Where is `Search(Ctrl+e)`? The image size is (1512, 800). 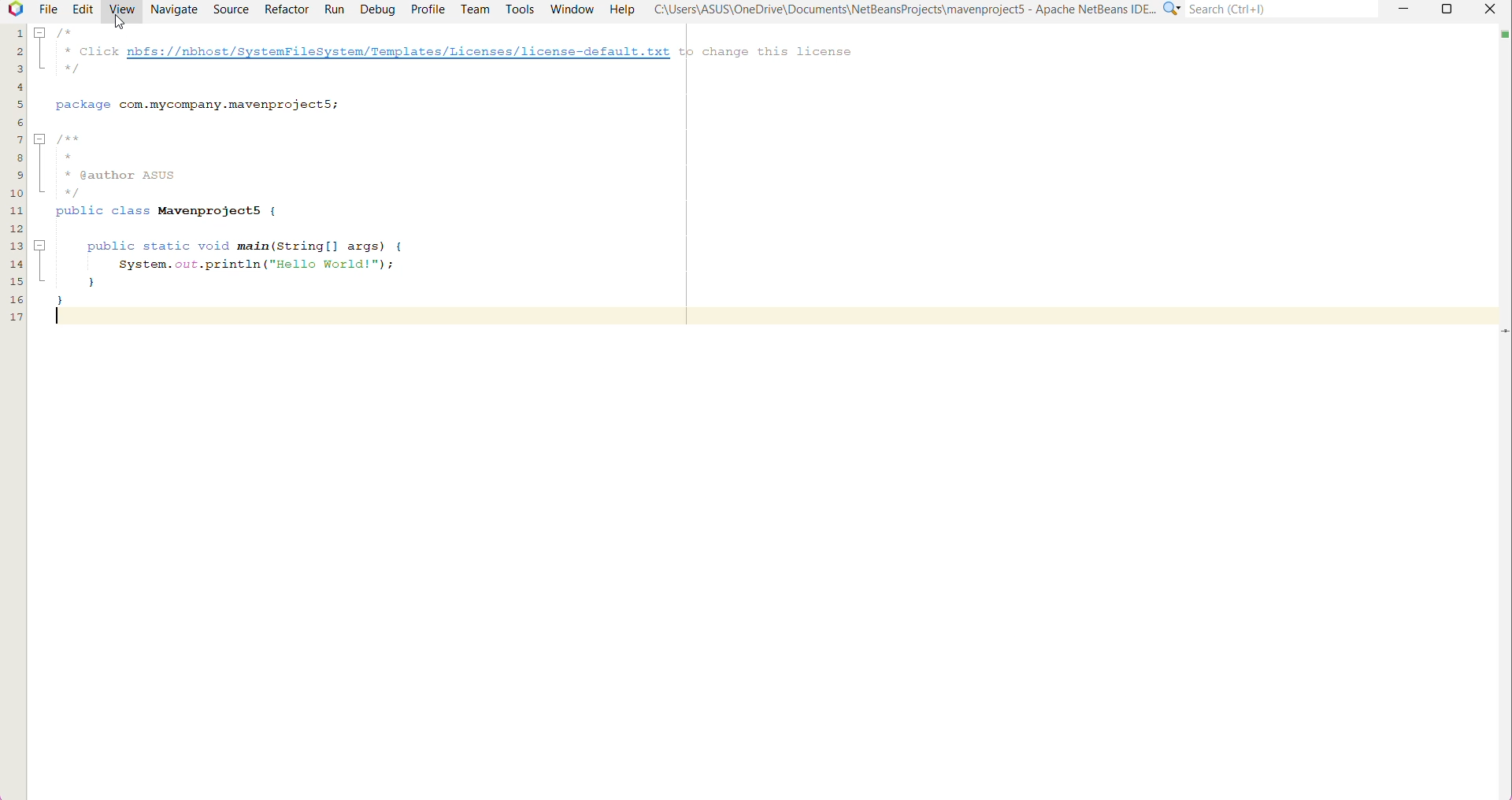 Search(Ctrl+e) is located at coordinates (1284, 9).